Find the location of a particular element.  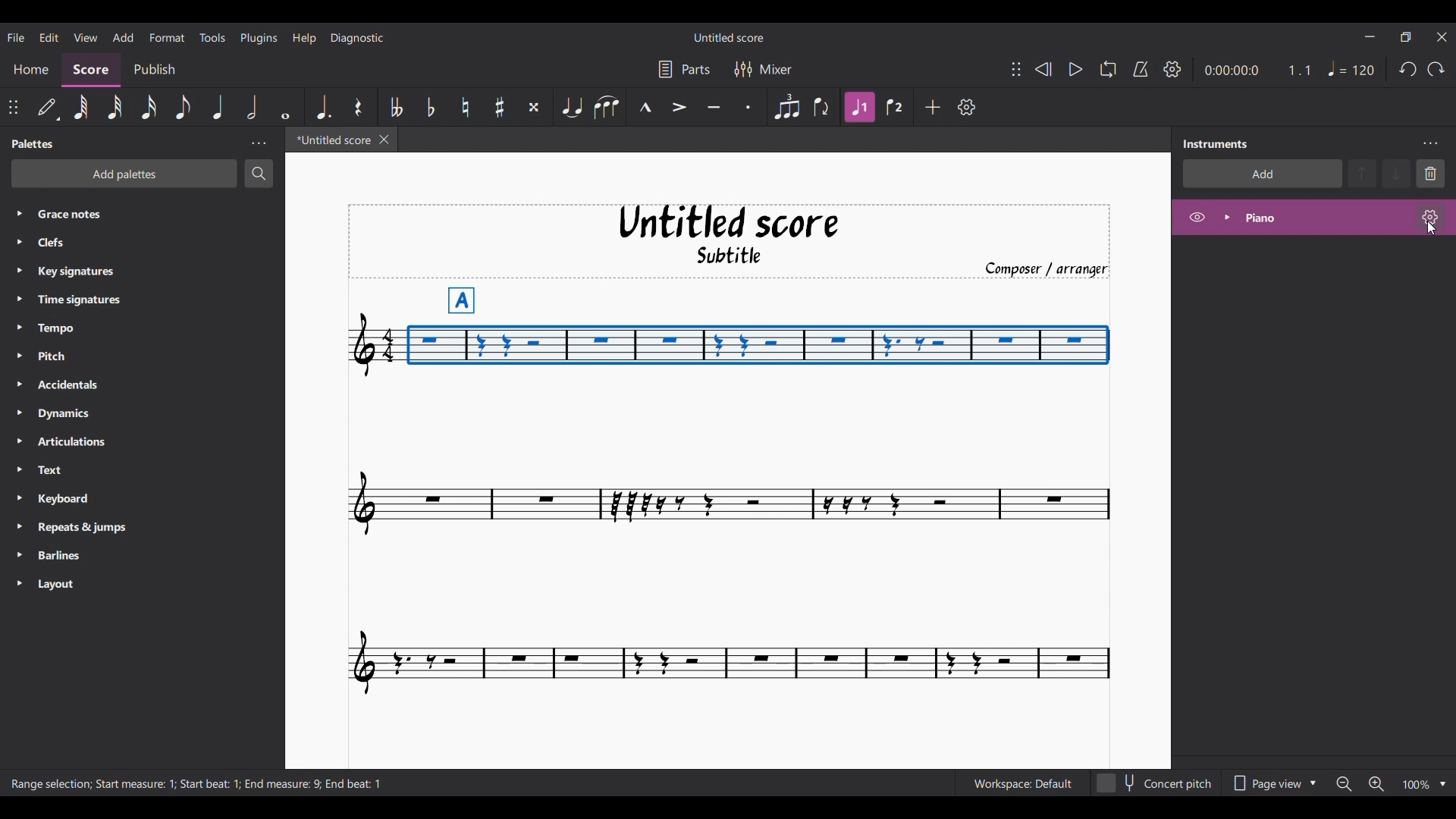

Move instrument down is located at coordinates (1396, 173).